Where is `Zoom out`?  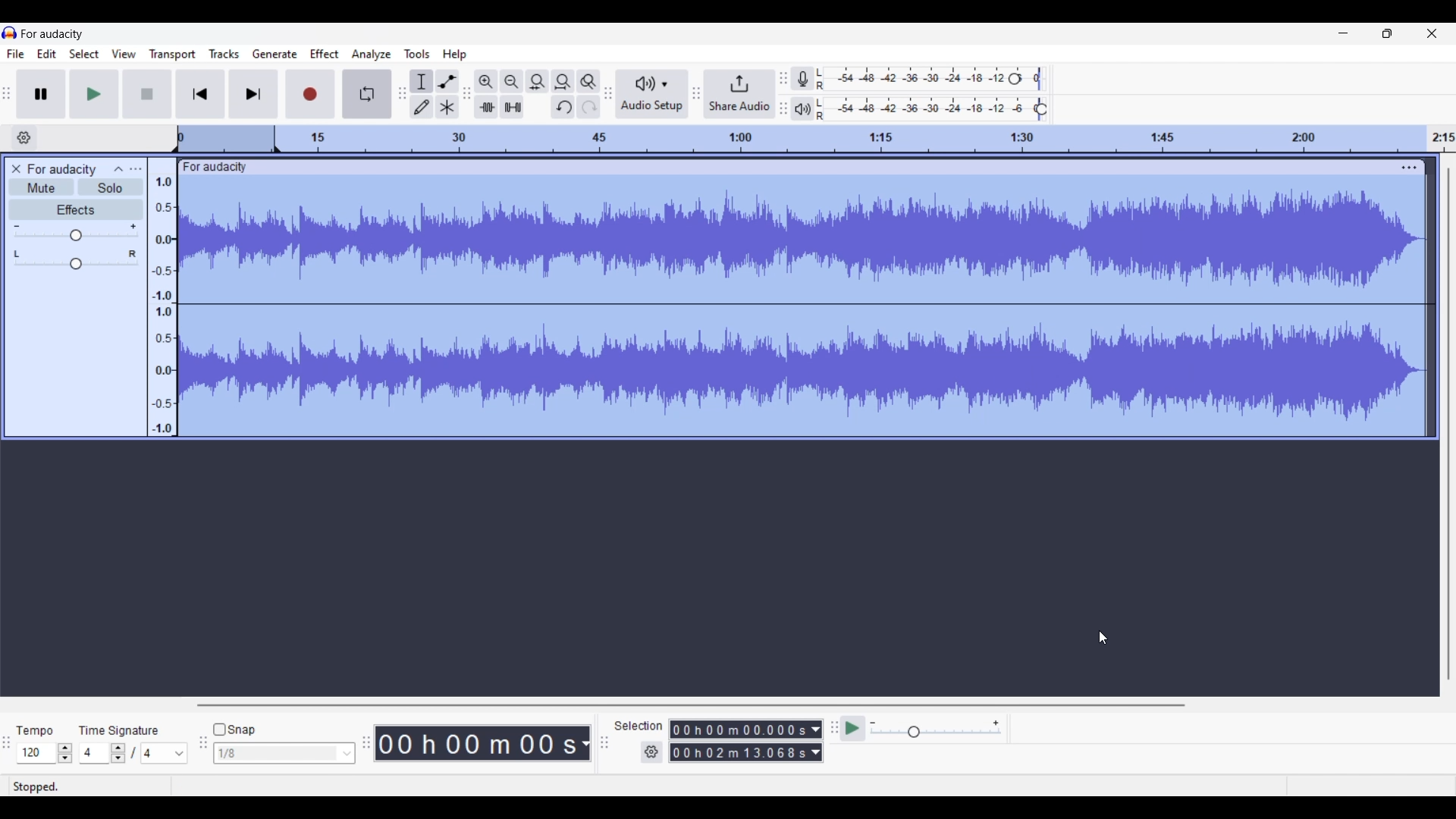
Zoom out is located at coordinates (511, 81).